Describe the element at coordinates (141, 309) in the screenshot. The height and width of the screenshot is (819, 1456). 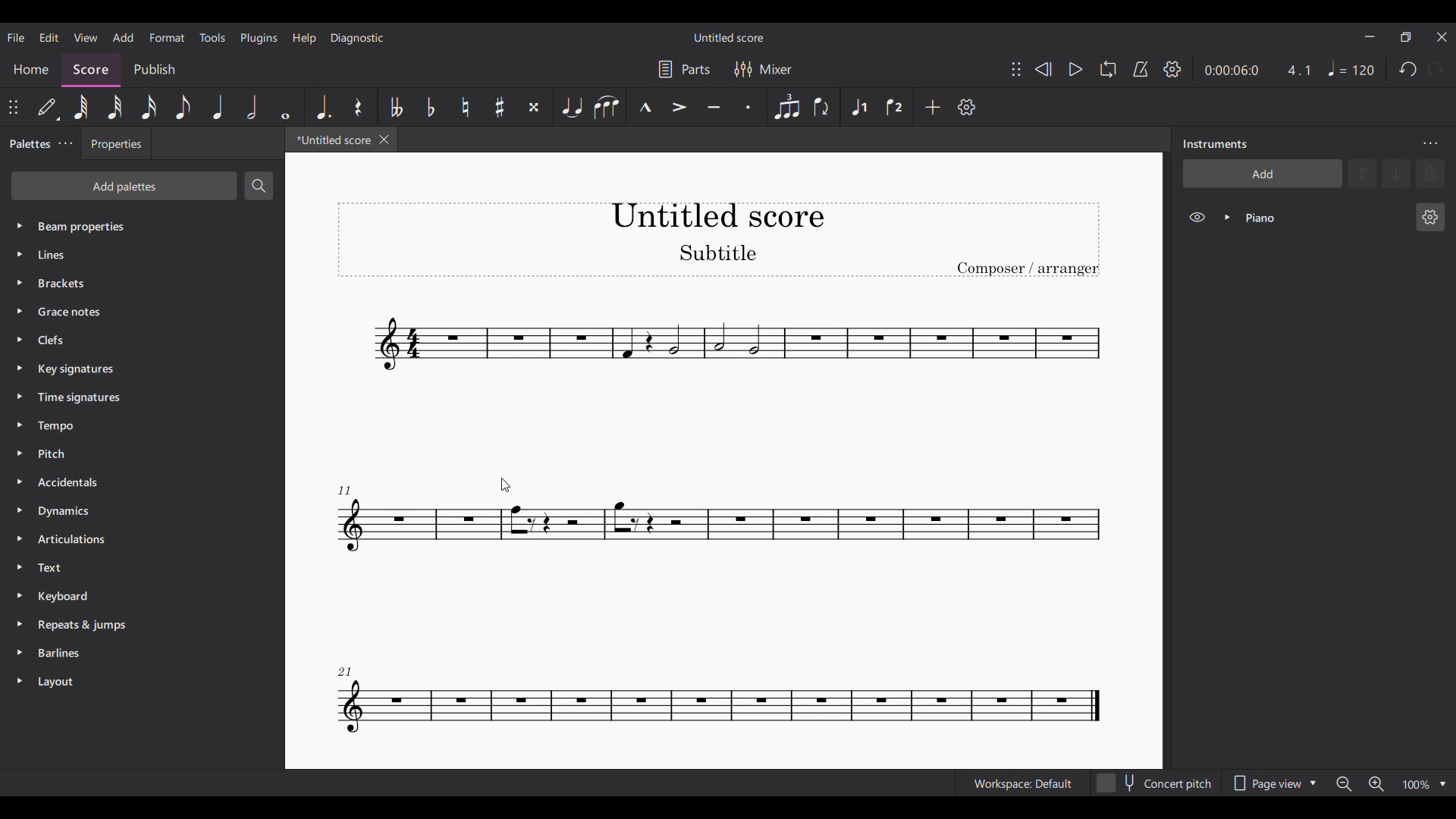
I see `Grace notes` at that location.